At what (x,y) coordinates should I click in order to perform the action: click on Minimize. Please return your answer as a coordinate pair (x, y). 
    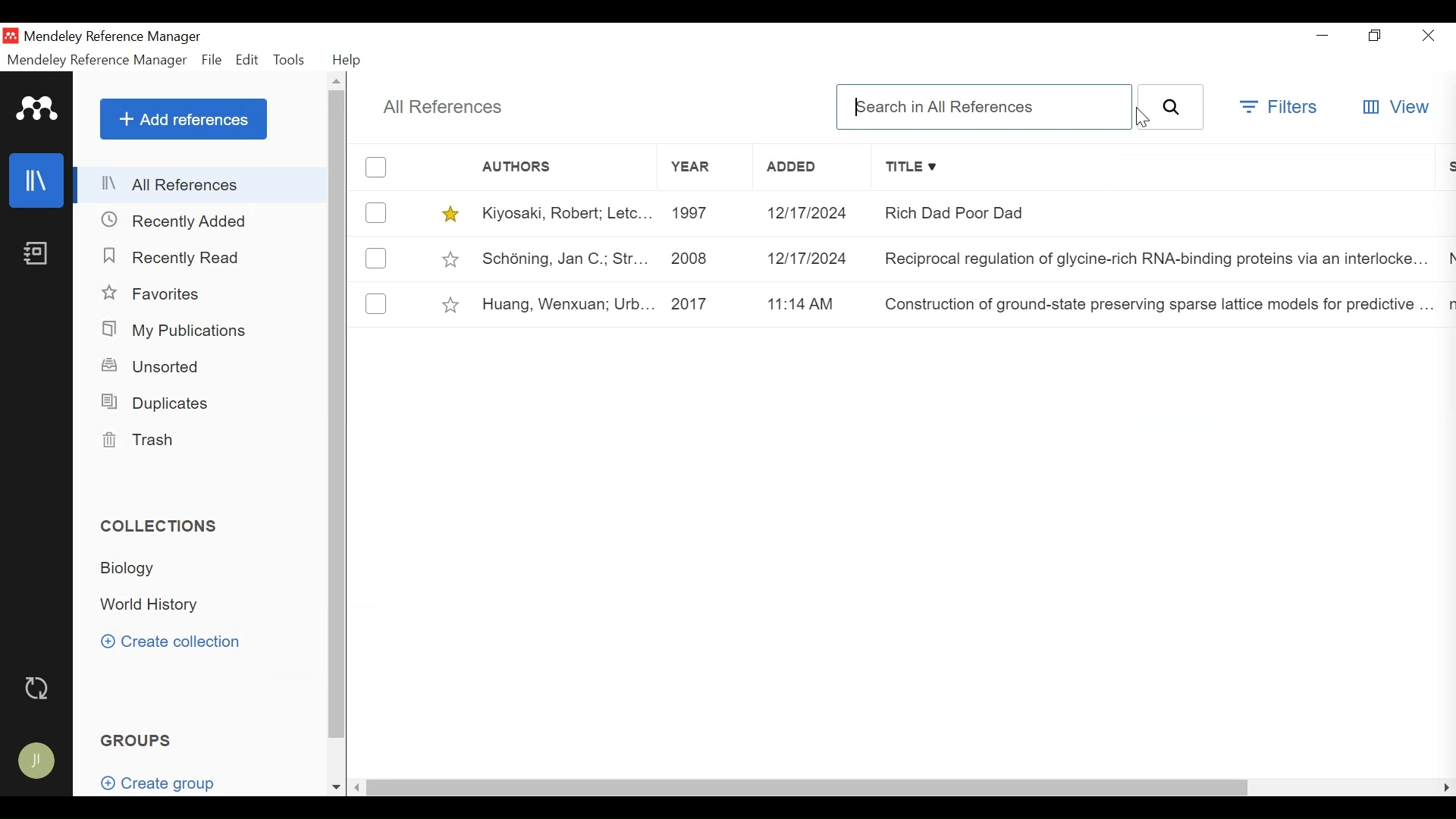
    Looking at the image, I should click on (1326, 36).